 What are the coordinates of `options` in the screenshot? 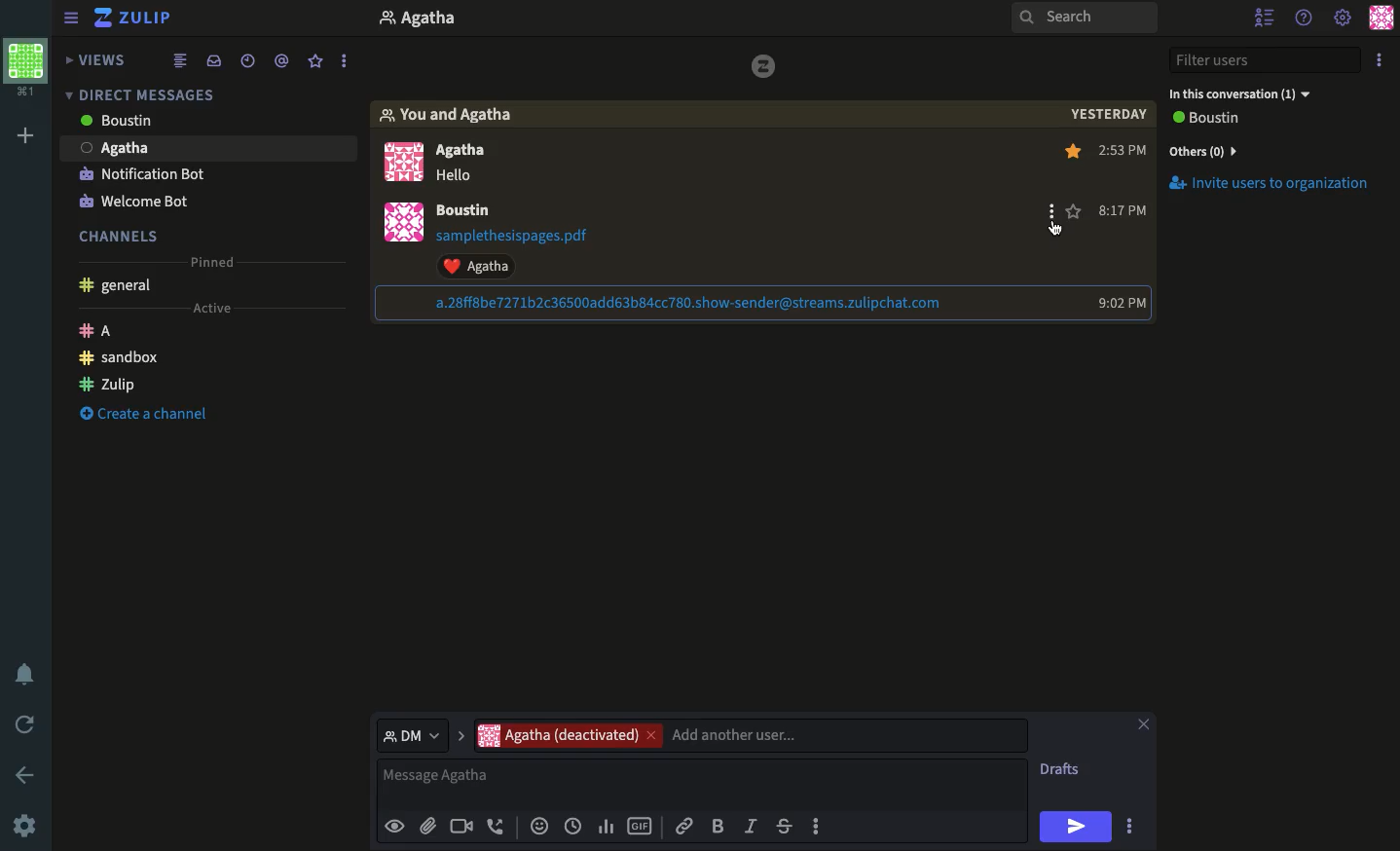 It's located at (346, 56).